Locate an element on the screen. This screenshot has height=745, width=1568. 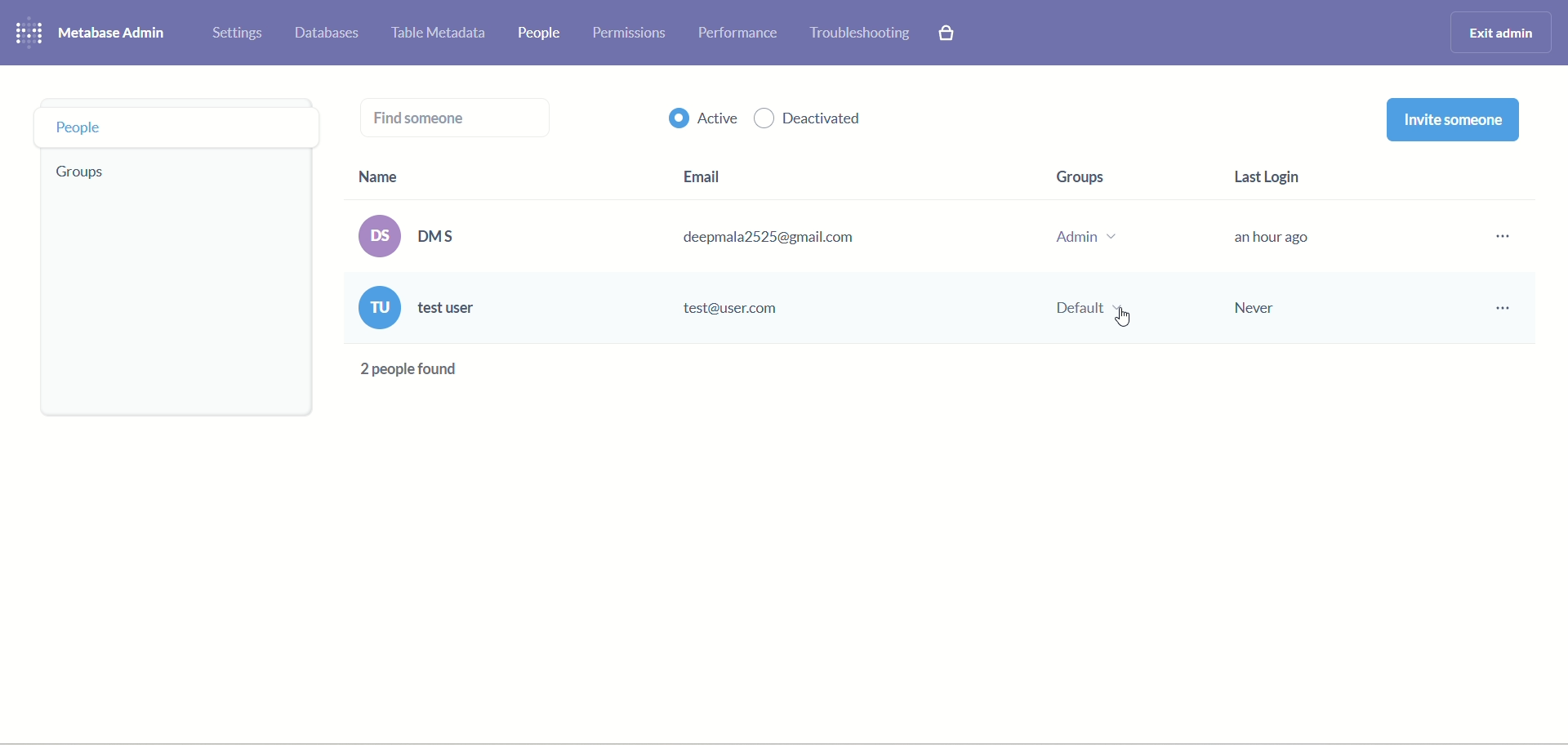
permissions is located at coordinates (630, 33).